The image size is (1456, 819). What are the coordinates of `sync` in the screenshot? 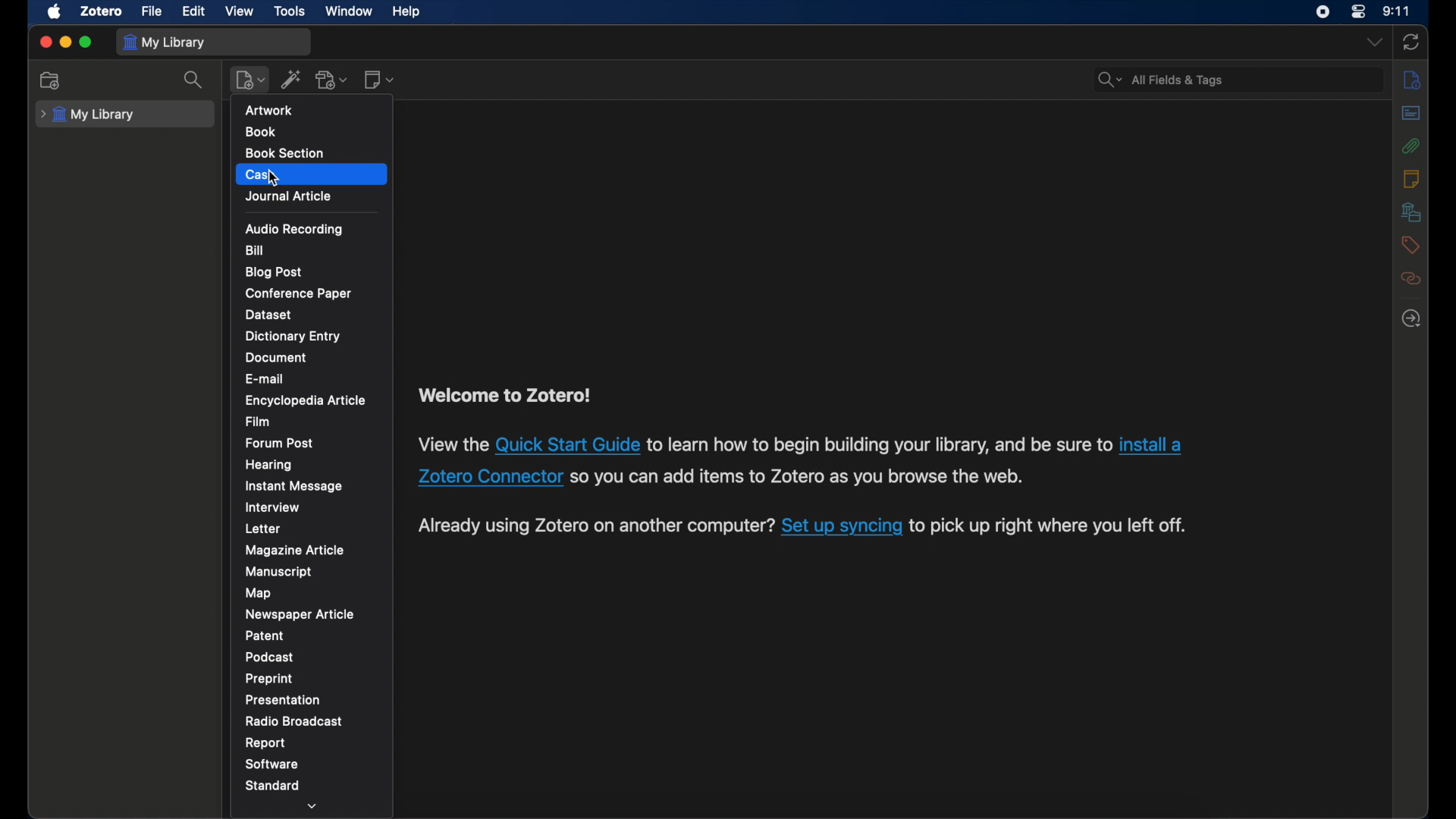 It's located at (1410, 42).